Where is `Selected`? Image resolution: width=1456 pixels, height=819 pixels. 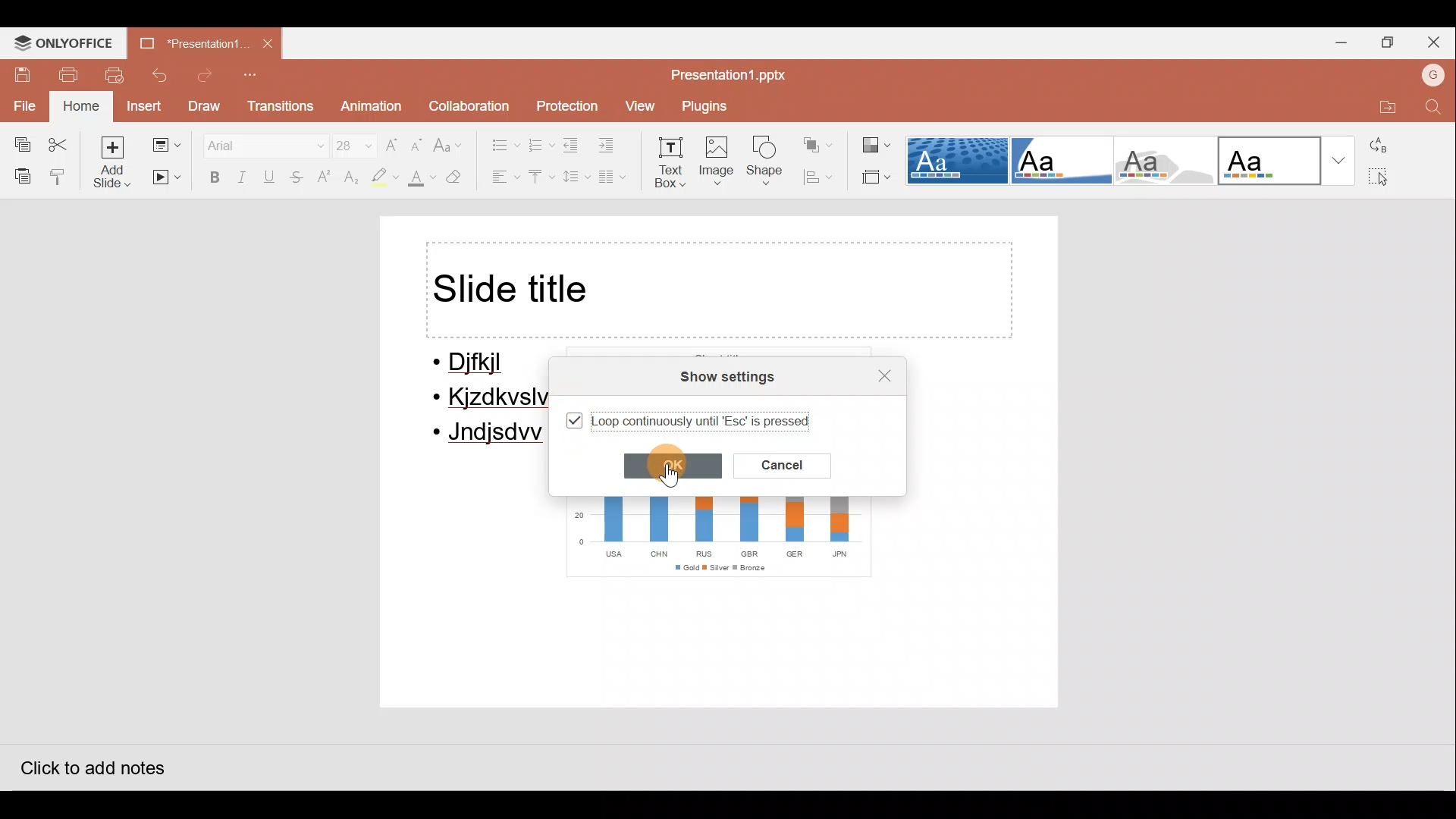
Selected is located at coordinates (575, 422).